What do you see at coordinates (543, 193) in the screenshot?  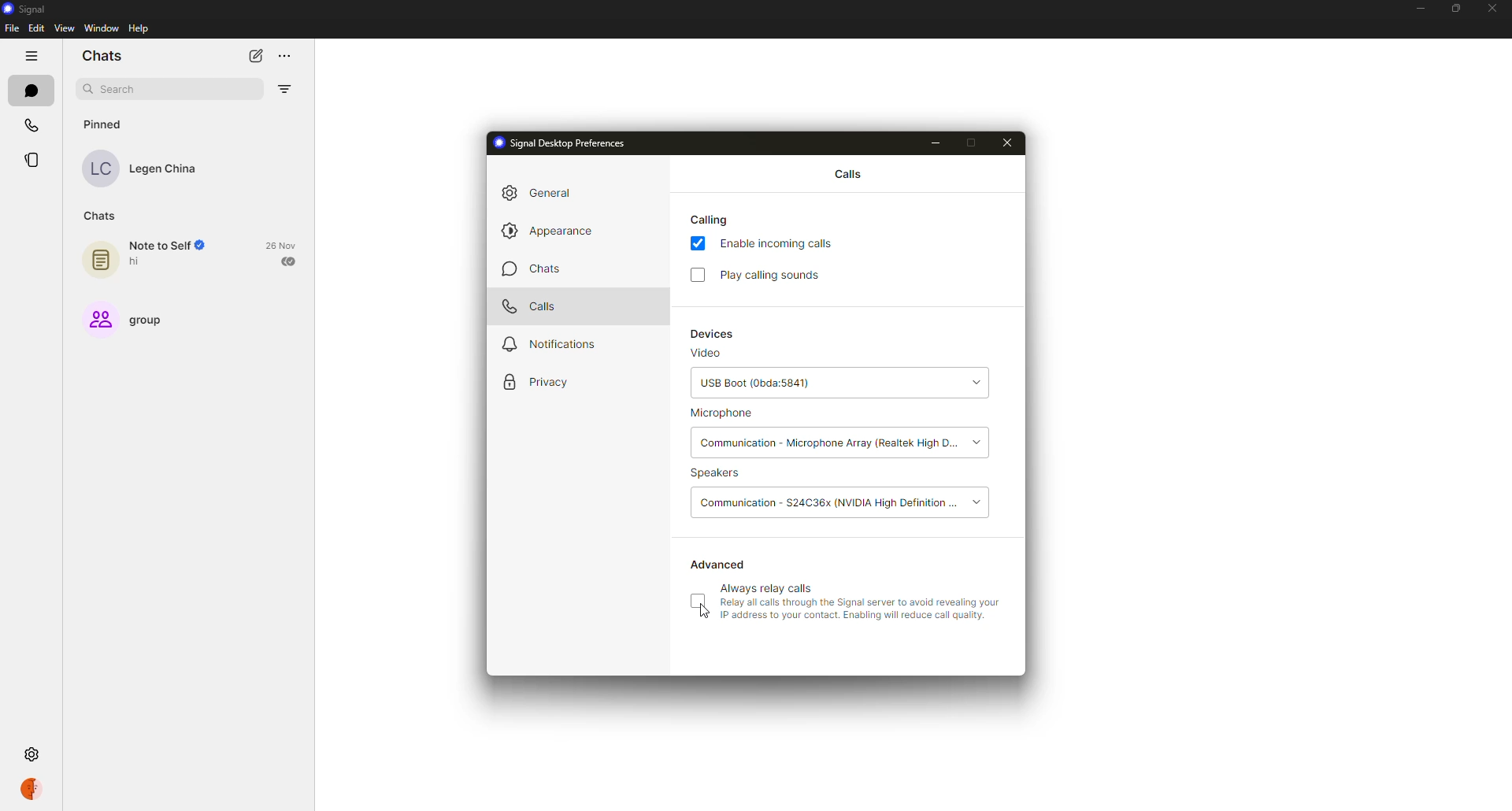 I see `general` at bounding box center [543, 193].